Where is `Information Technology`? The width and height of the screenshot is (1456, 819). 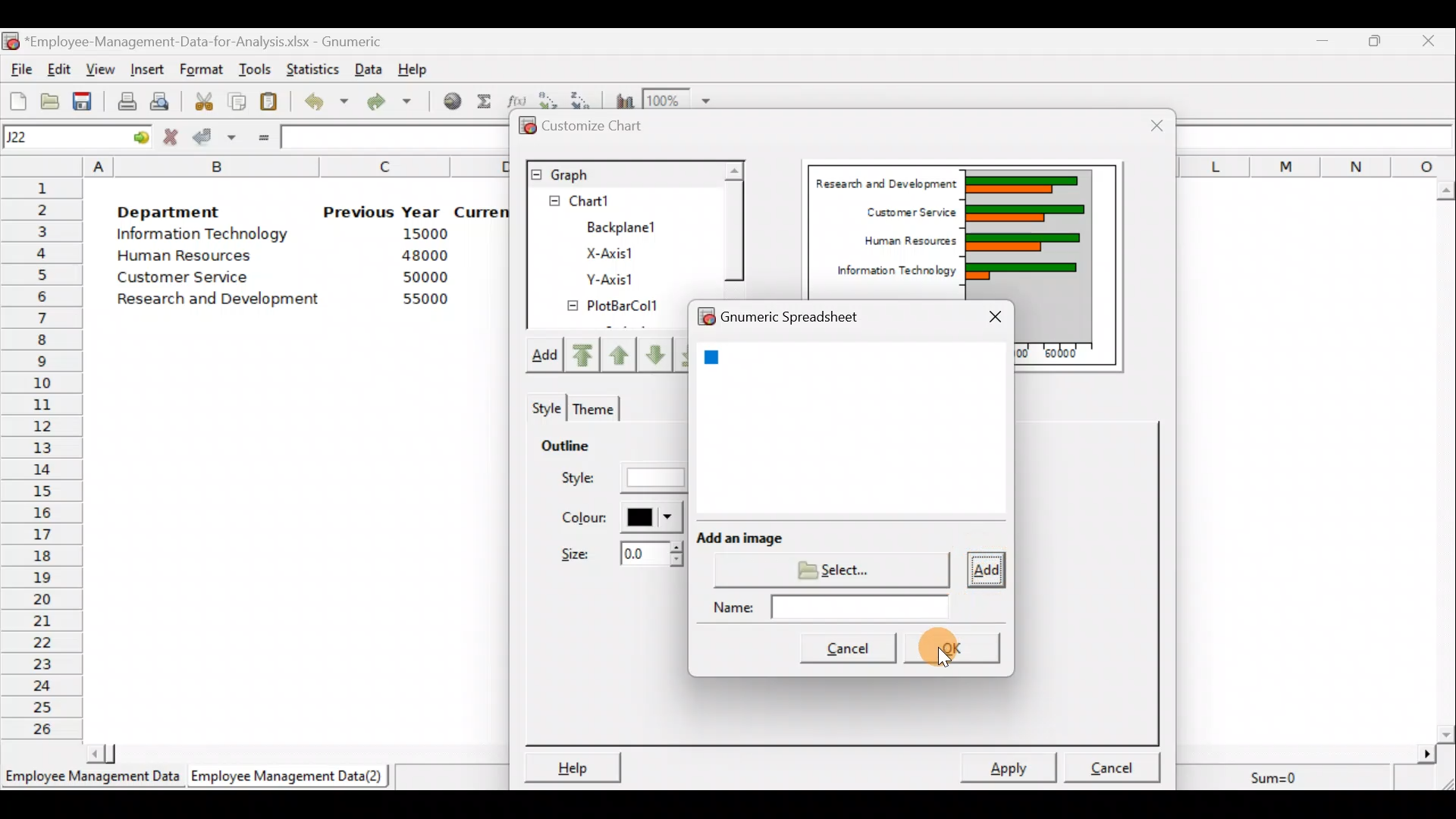 Information Technology is located at coordinates (891, 275).